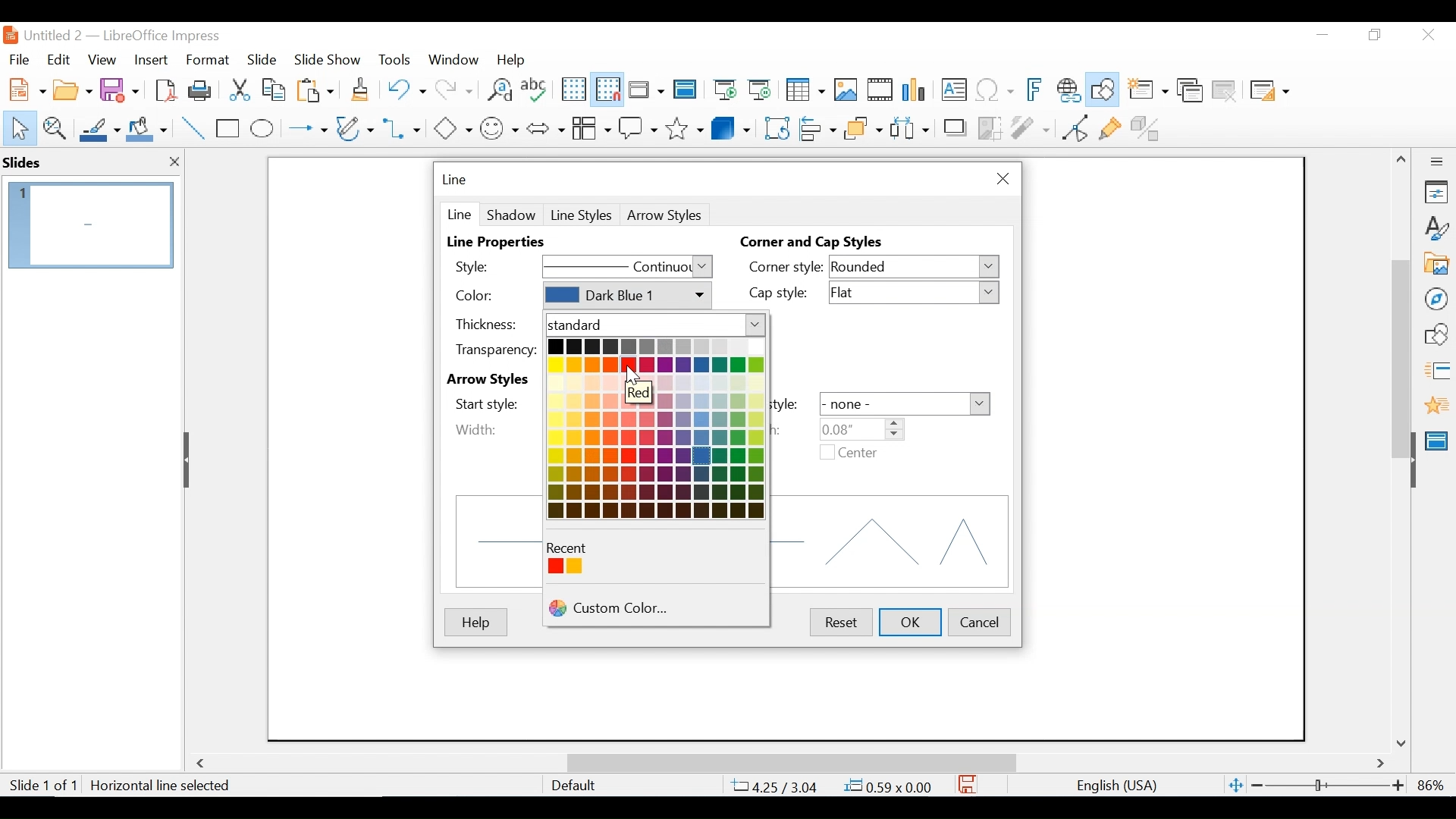  What do you see at coordinates (804, 90) in the screenshot?
I see `Table` at bounding box center [804, 90].